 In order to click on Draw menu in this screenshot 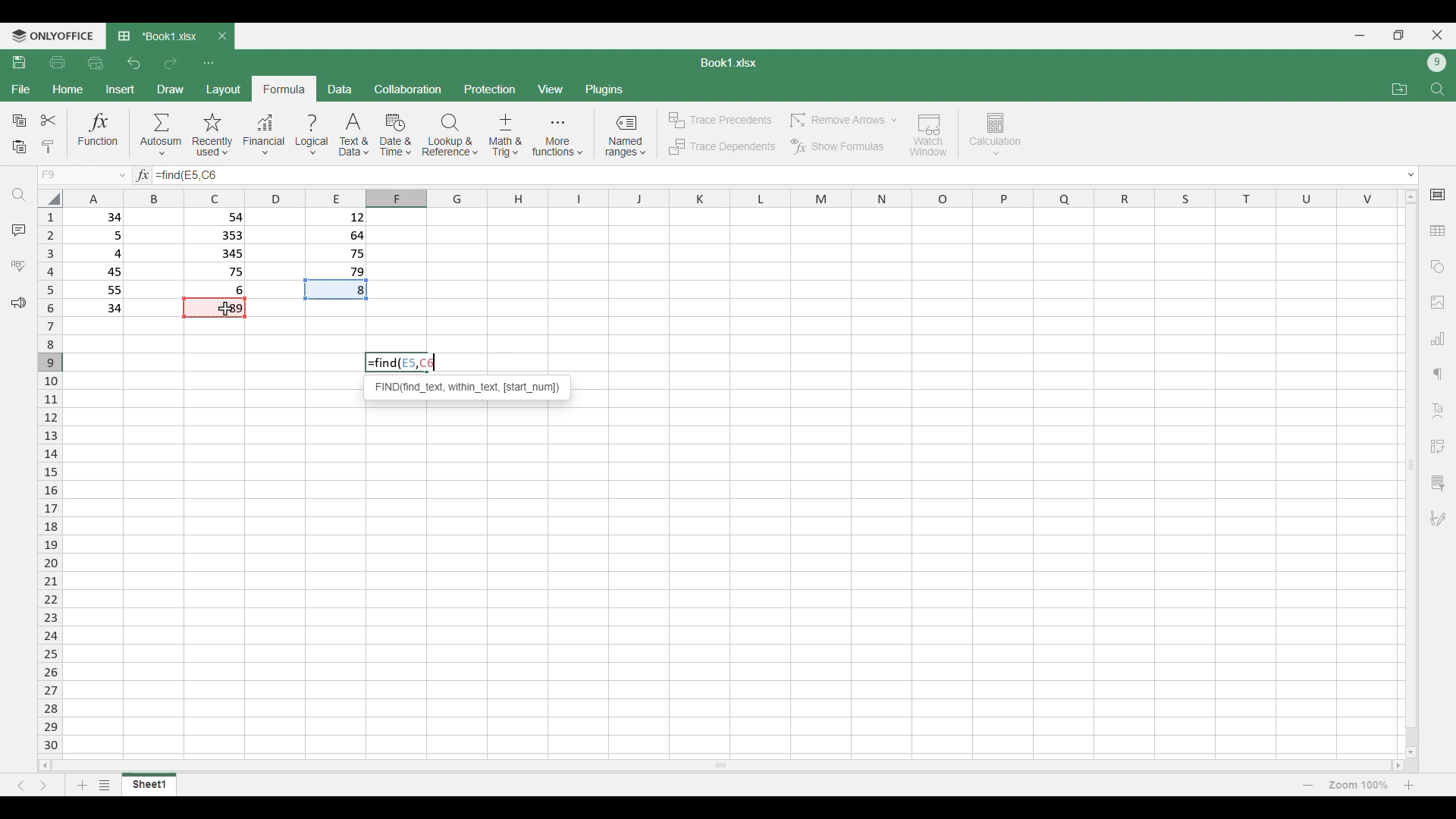, I will do `click(170, 89)`.